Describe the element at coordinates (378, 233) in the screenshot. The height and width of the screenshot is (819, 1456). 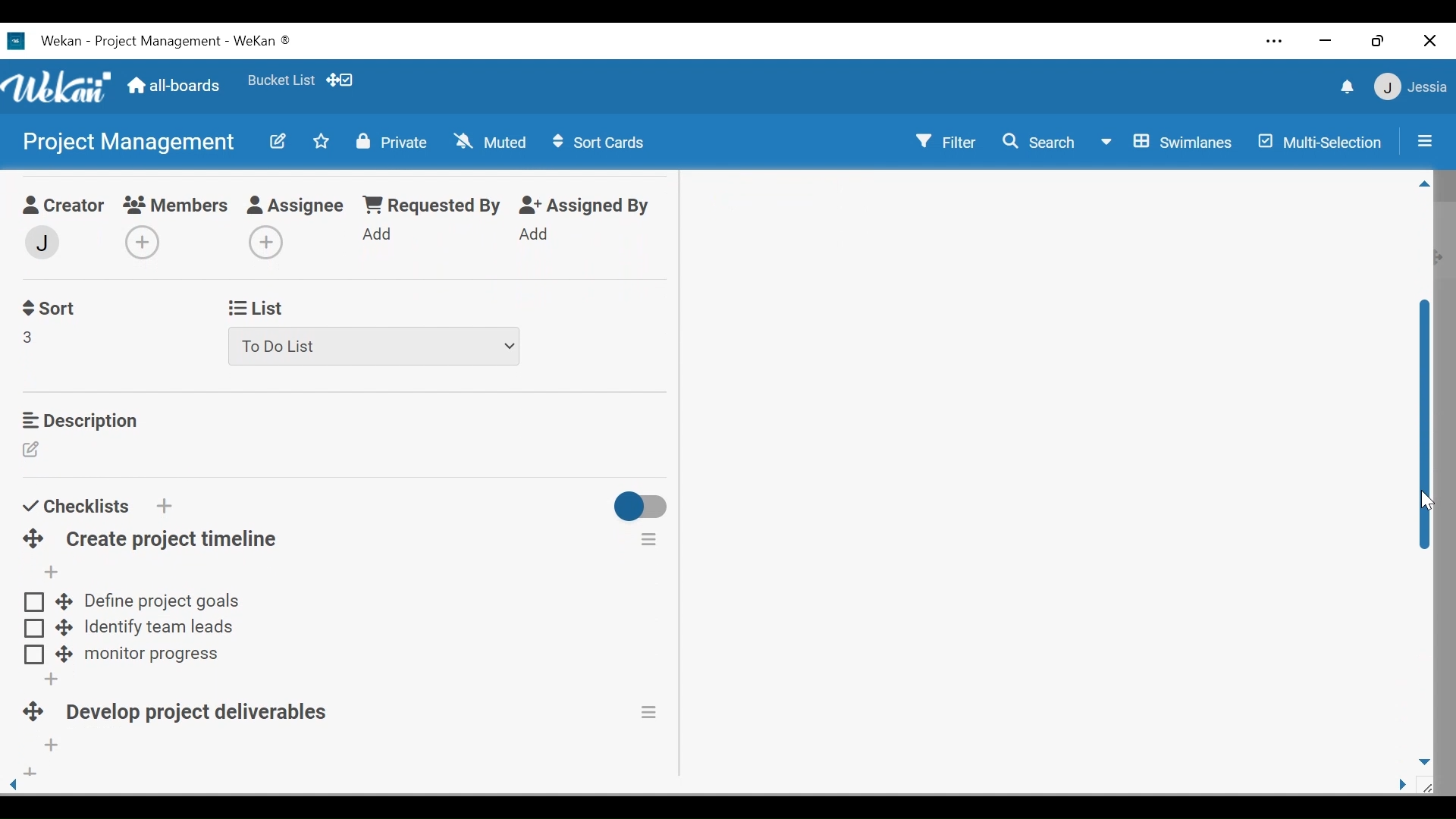
I see `Add Requested by` at that location.